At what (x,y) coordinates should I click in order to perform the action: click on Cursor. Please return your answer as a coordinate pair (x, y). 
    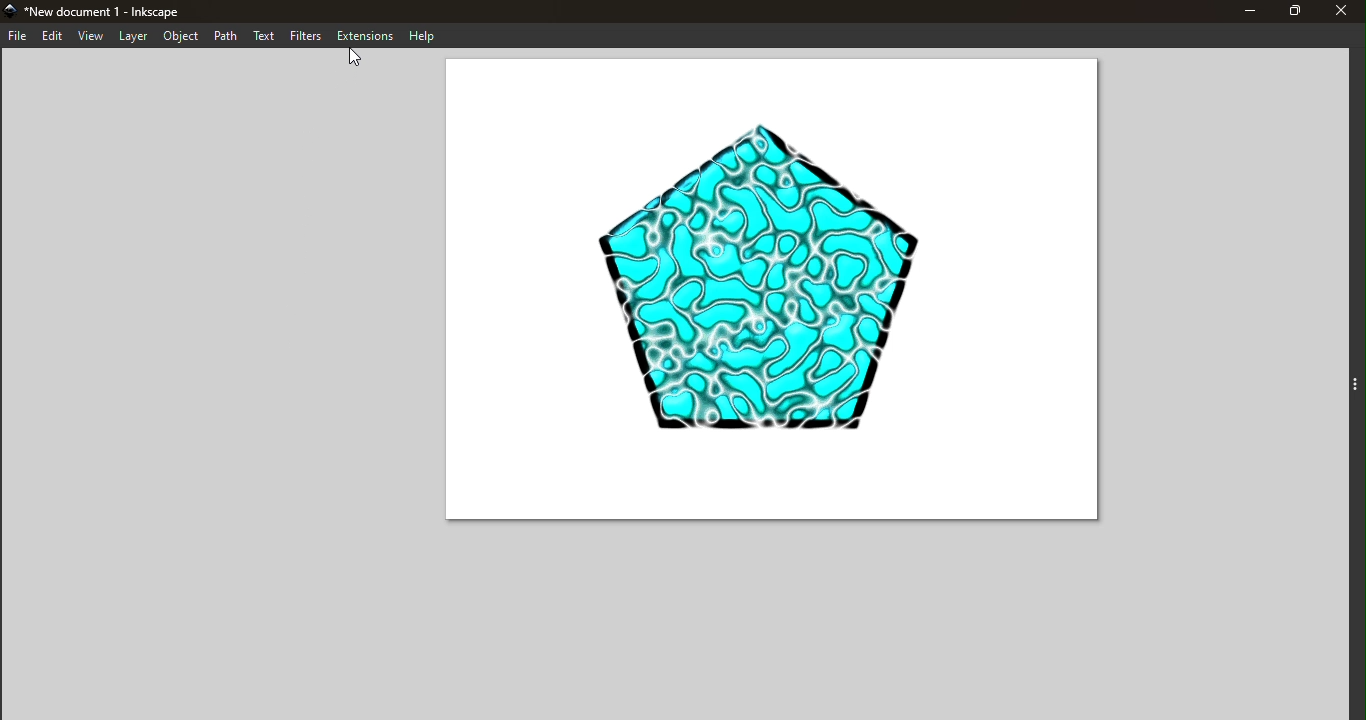
    Looking at the image, I should click on (351, 58).